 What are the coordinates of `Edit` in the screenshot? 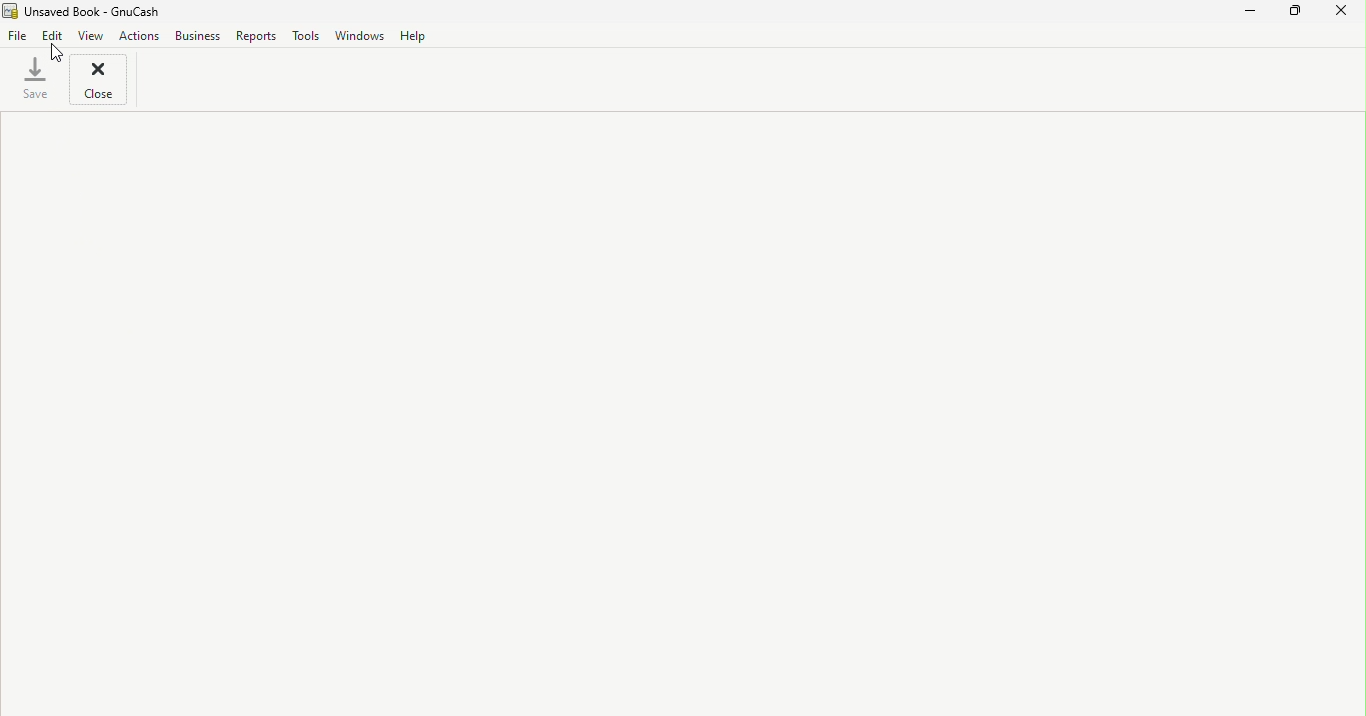 It's located at (52, 36).